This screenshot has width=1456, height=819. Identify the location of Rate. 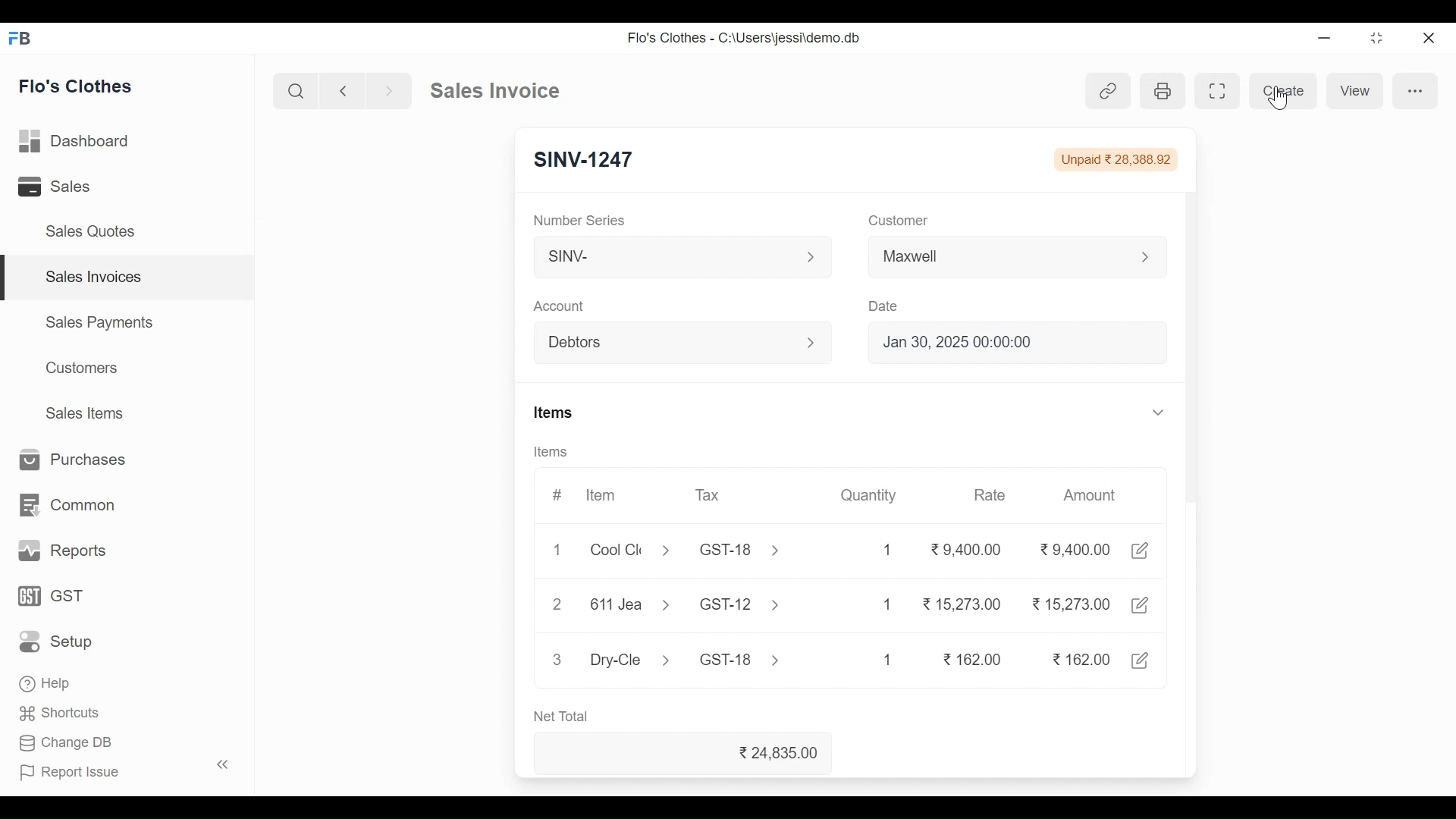
(992, 494).